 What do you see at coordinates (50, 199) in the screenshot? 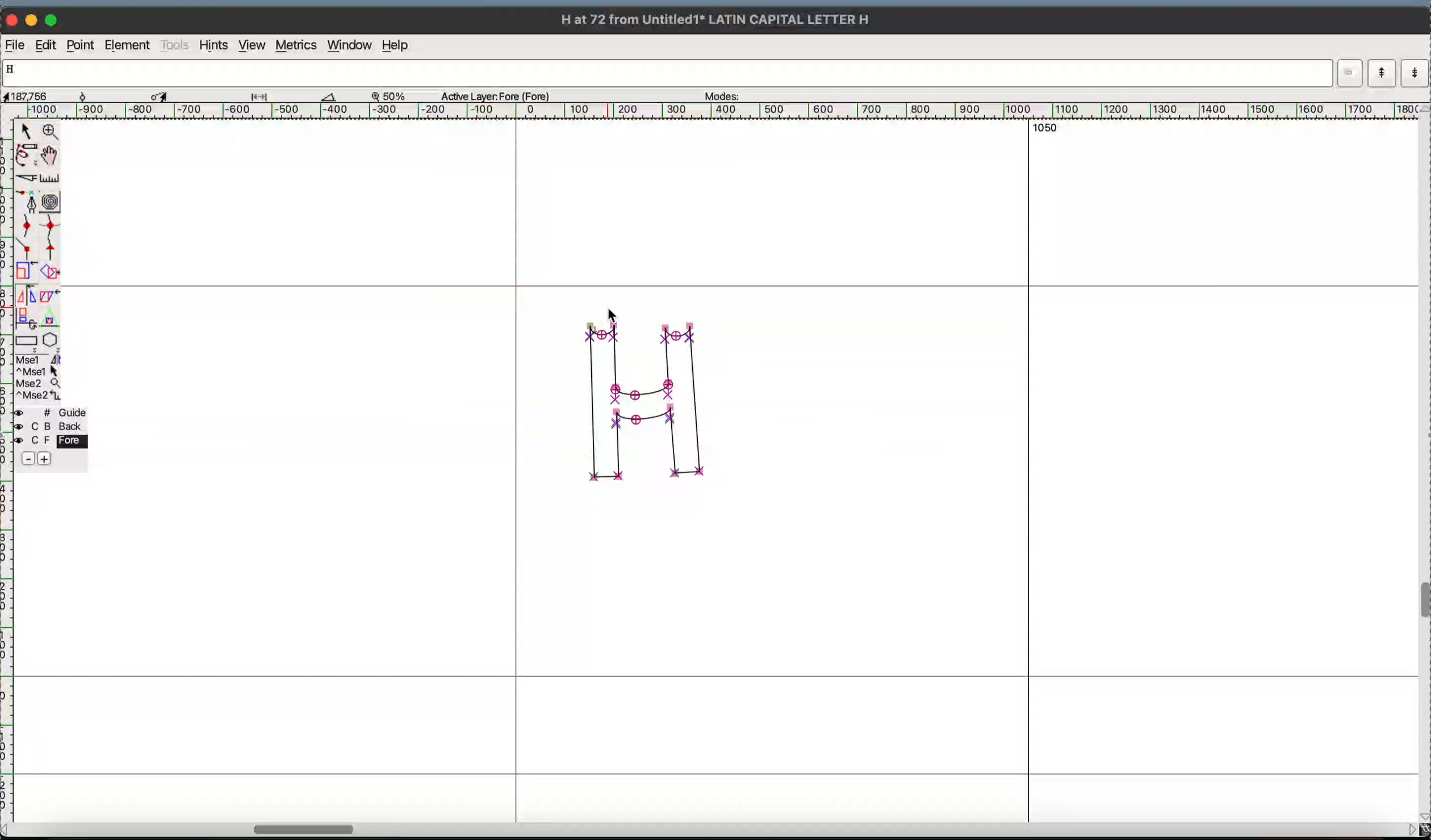
I see `spiro` at bounding box center [50, 199].